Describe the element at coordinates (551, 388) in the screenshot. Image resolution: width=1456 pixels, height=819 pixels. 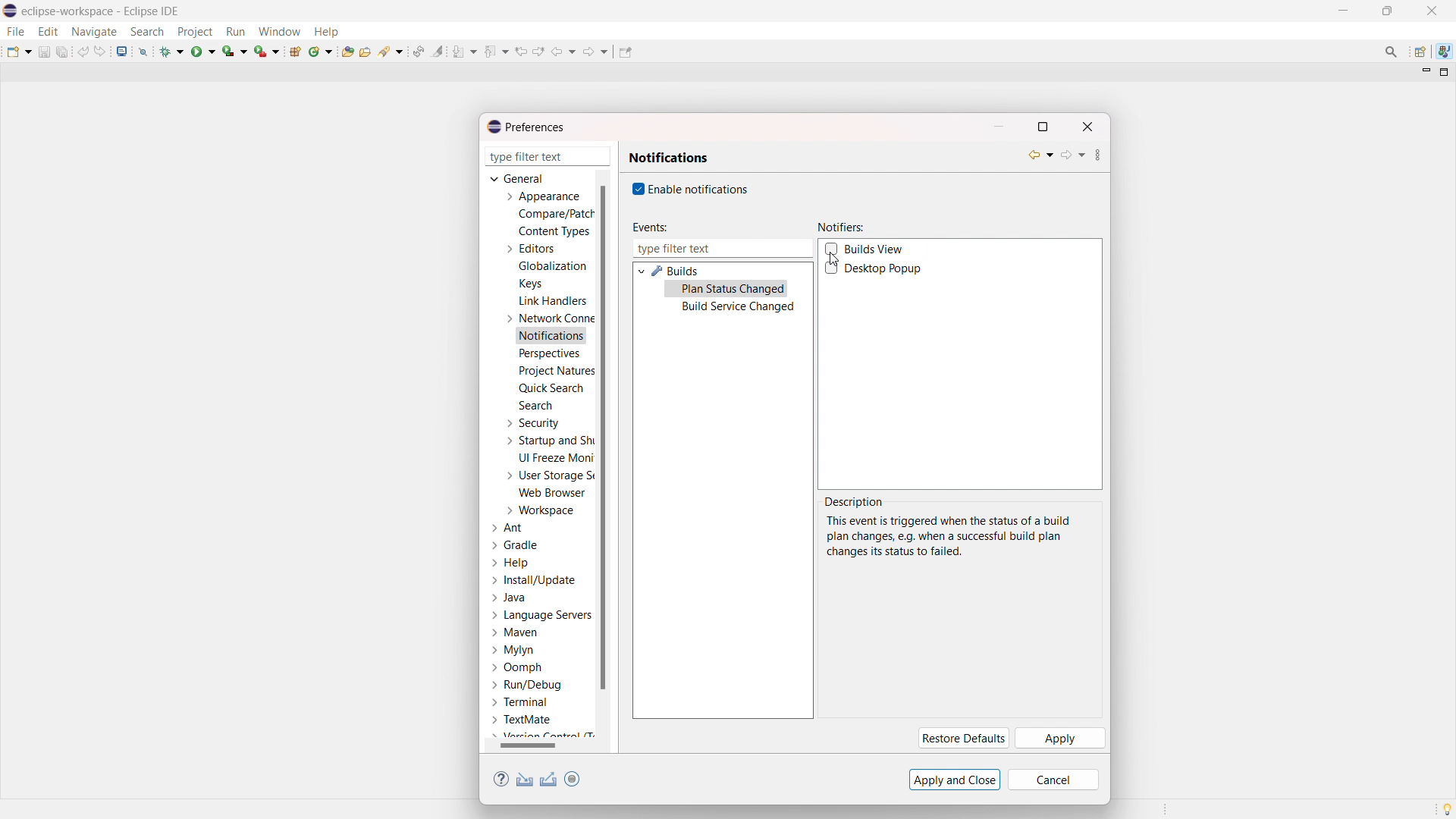
I see `quick search` at that location.